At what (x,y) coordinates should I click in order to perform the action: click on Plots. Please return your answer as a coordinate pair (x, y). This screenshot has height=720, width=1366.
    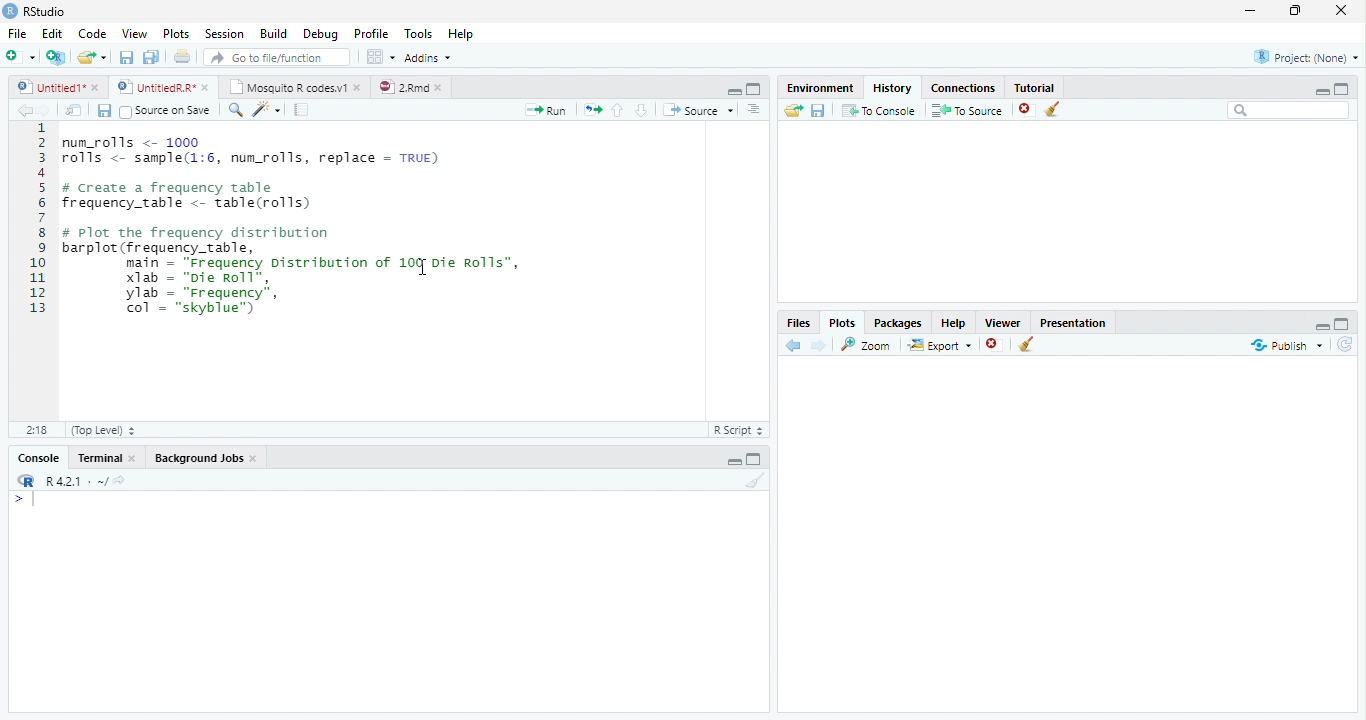
    Looking at the image, I should click on (177, 32).